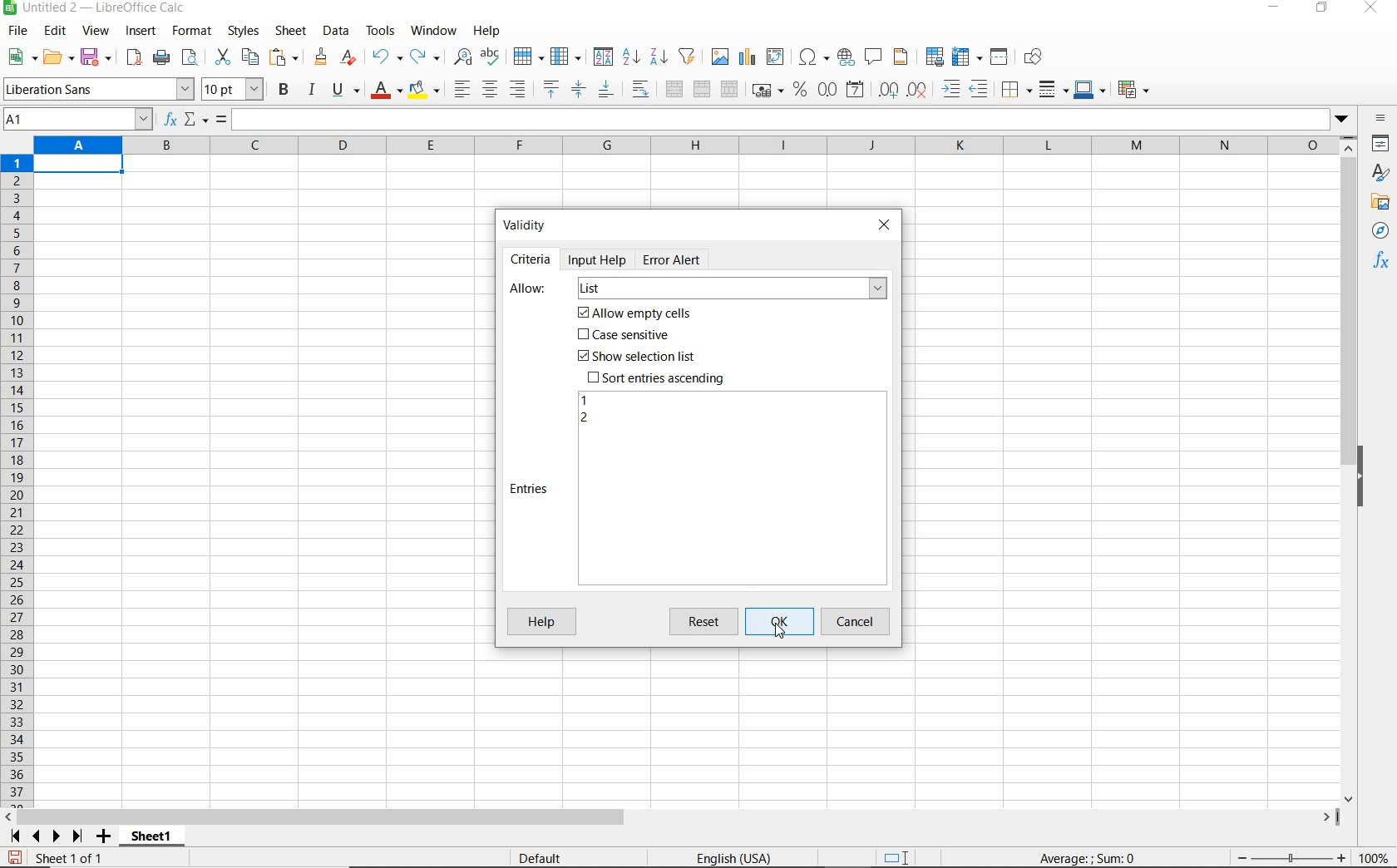  Describe the element at coordinates (161, 57) in the screenshot. I see `print` at that location.